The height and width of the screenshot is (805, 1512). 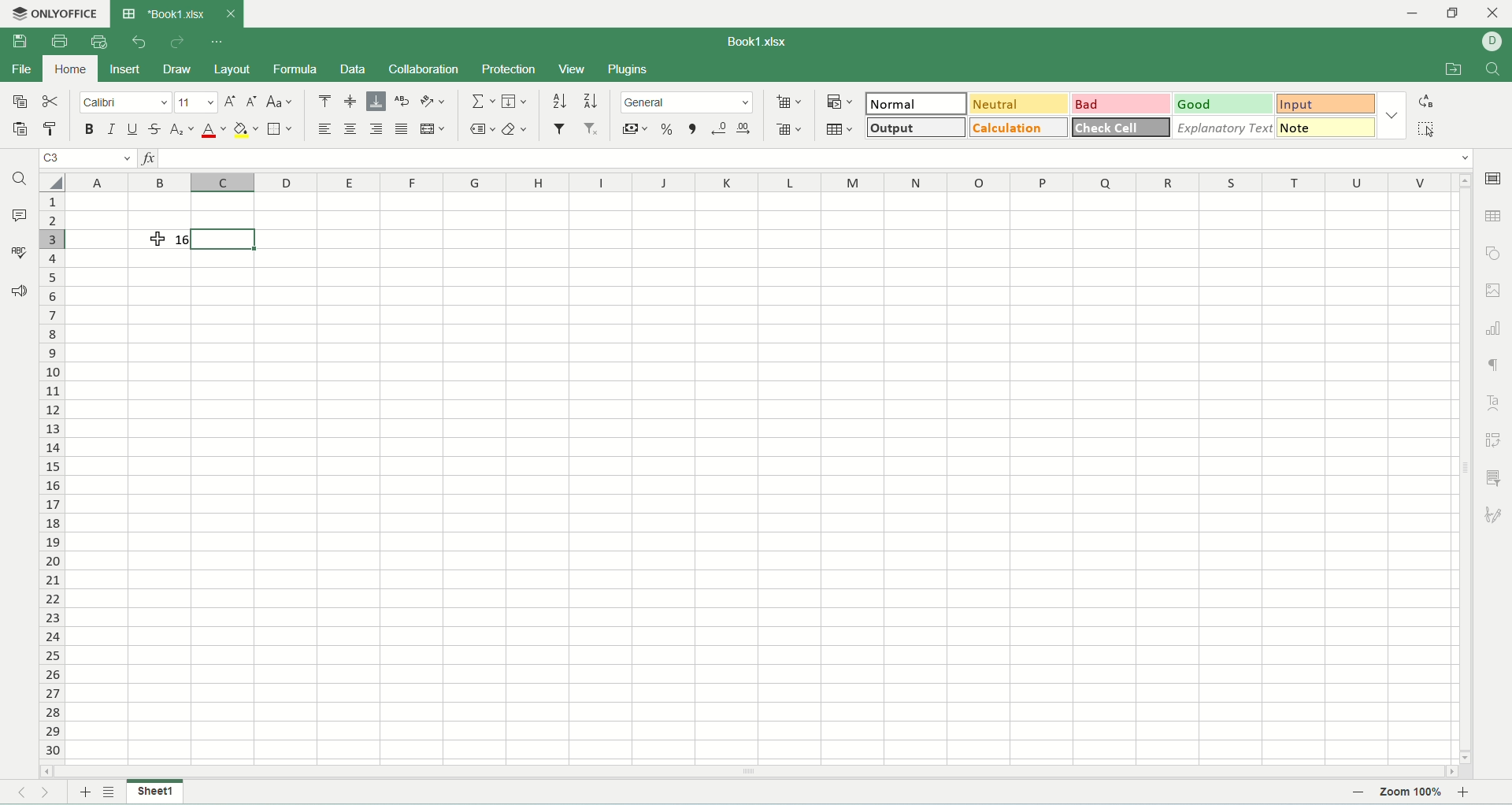 What do you see at coordinates (432, 129) in the screenshot?
I see `merge and center` at bounding box center [432, 129].